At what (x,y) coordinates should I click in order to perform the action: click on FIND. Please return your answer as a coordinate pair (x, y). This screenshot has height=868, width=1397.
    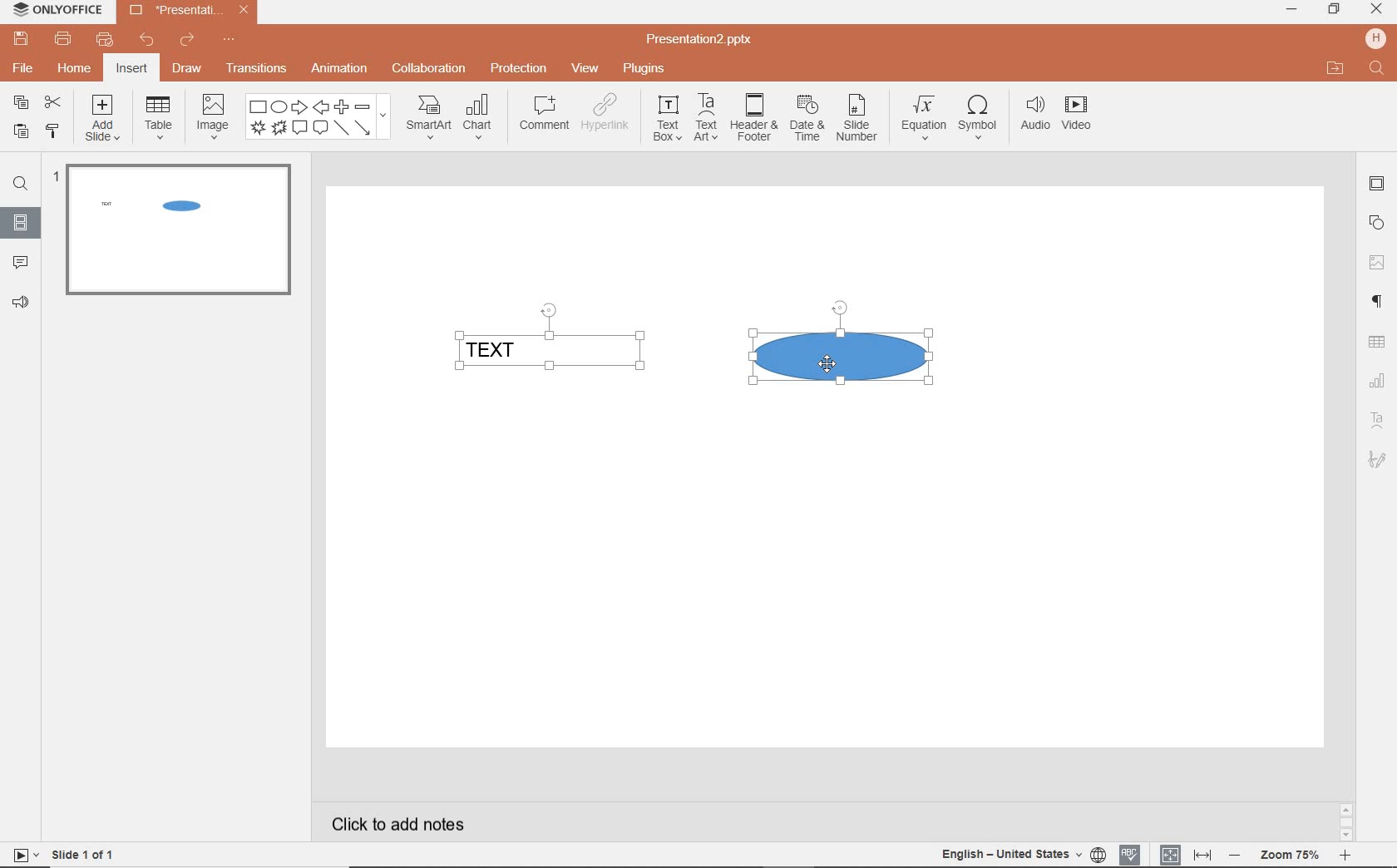
    Looking at the image, I should click on (1379, 70).